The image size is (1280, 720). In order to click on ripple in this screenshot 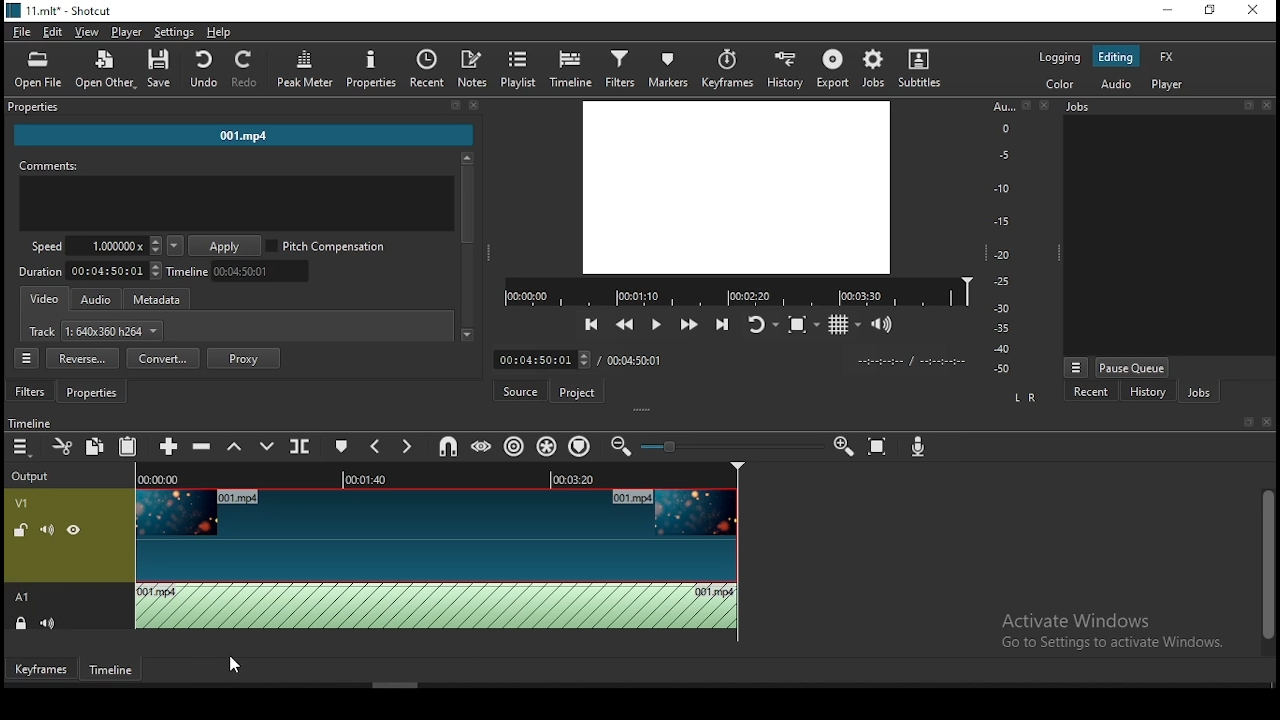, I will do `click(513, 445)`.